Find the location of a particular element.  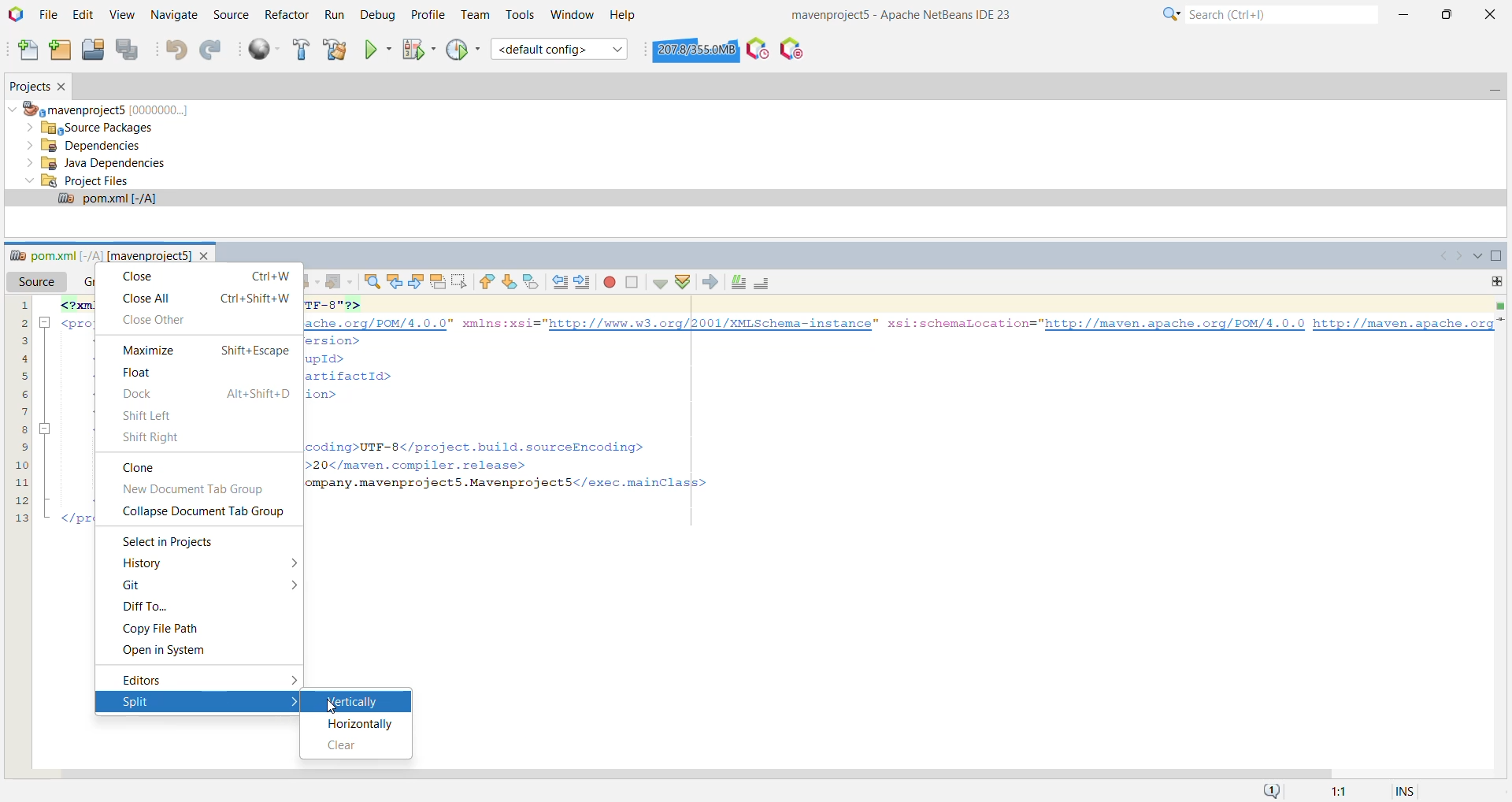

Clean and Build Project is located at coordinates (335, 50).